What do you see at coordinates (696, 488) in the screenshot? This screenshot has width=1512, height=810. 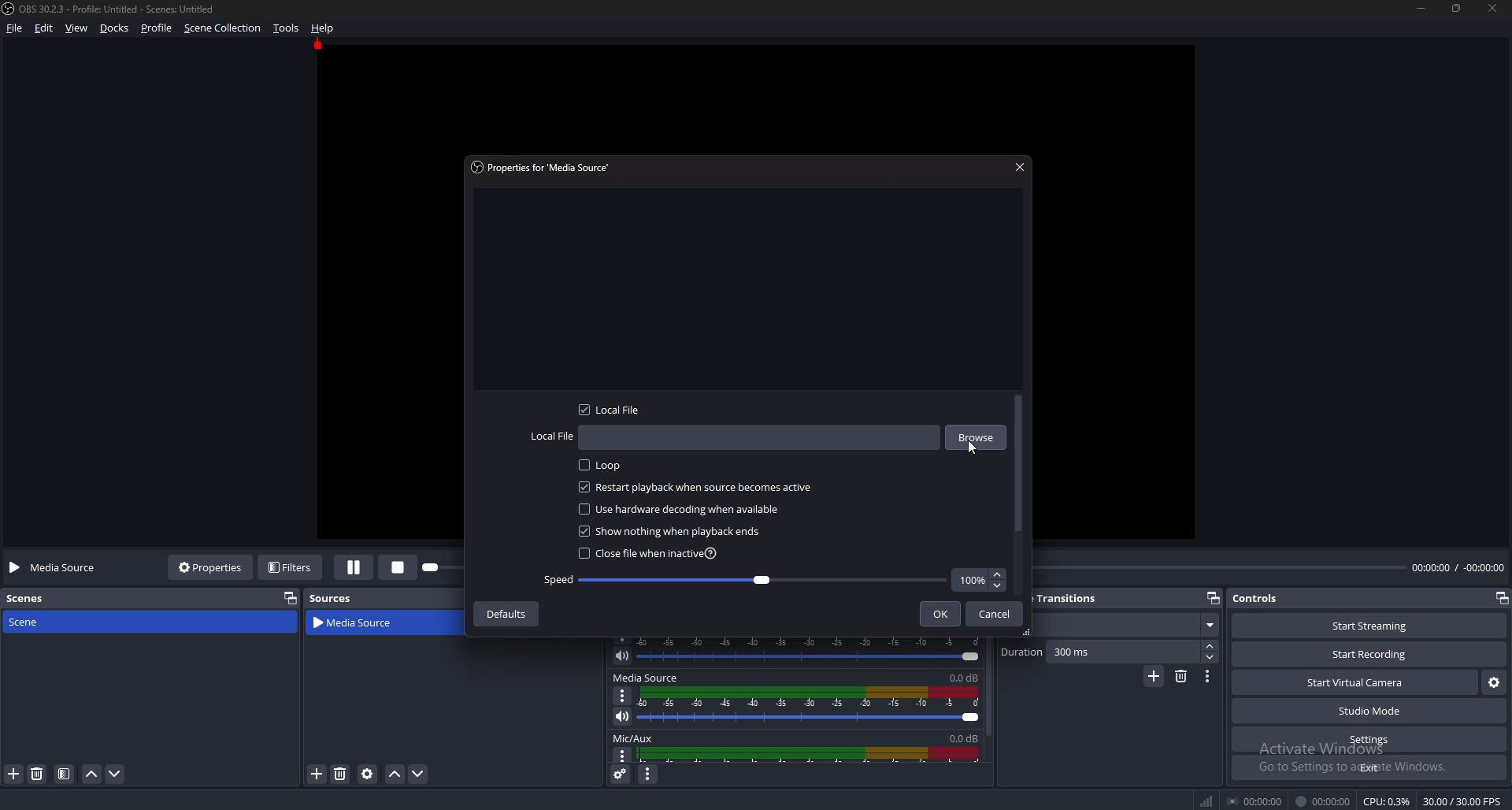 I see `Restart playback when source becomes active` at bounding box center [696, 488].